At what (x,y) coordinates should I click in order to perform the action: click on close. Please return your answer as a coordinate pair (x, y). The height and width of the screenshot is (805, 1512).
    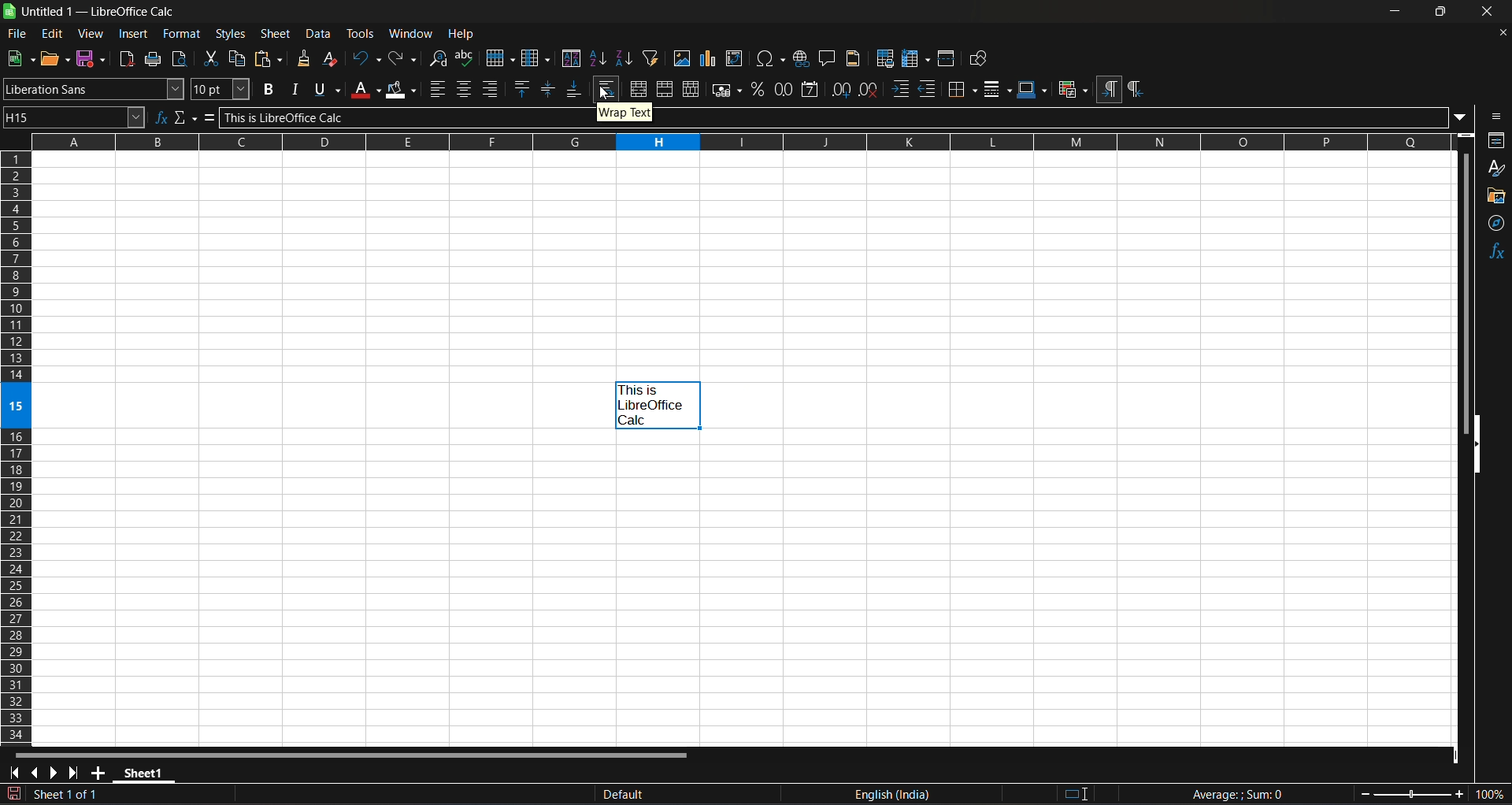
    Looking at the image, I should click on (1490, 12).